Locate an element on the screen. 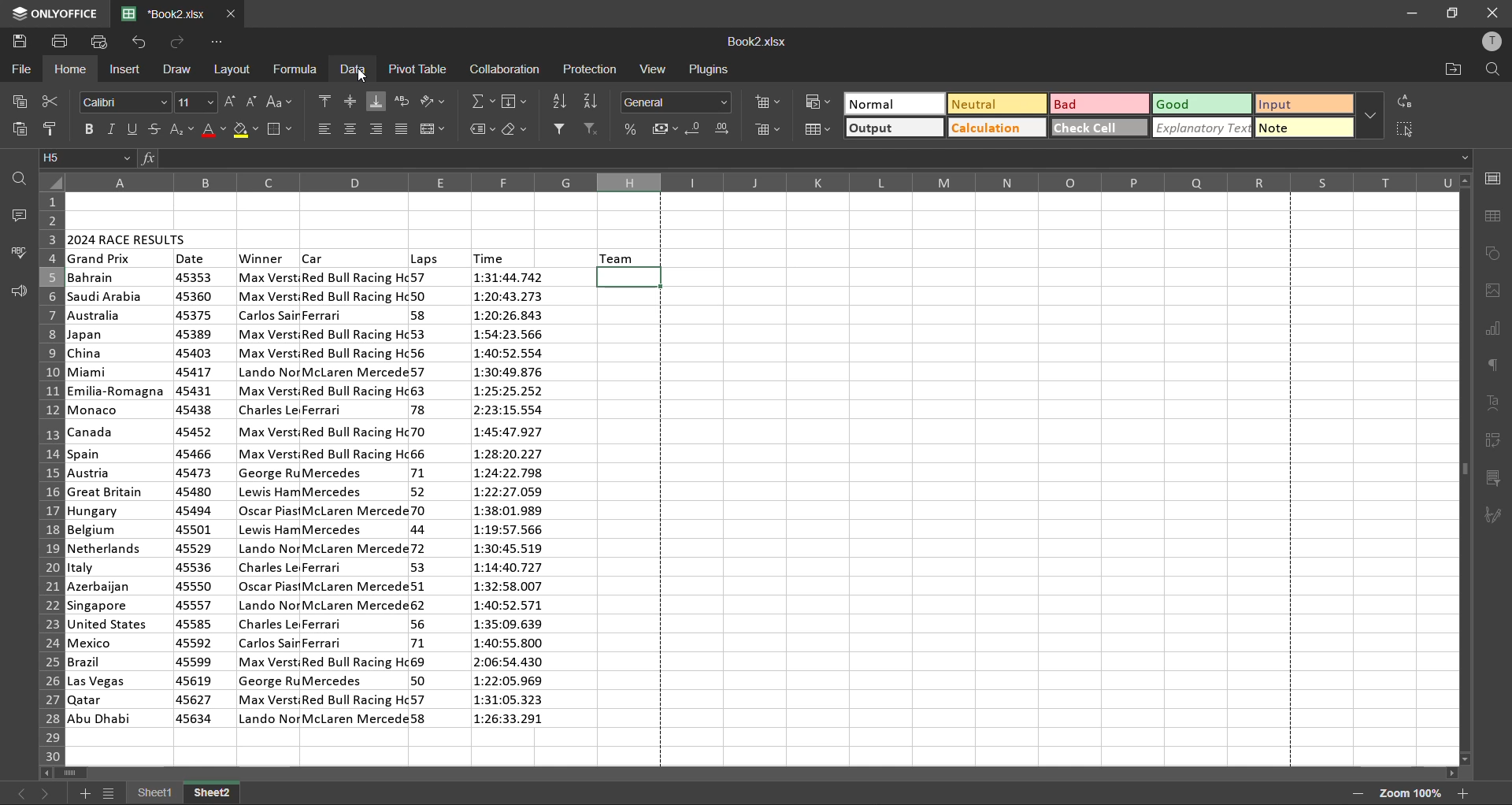  note is located at coordinates (1304, 128).